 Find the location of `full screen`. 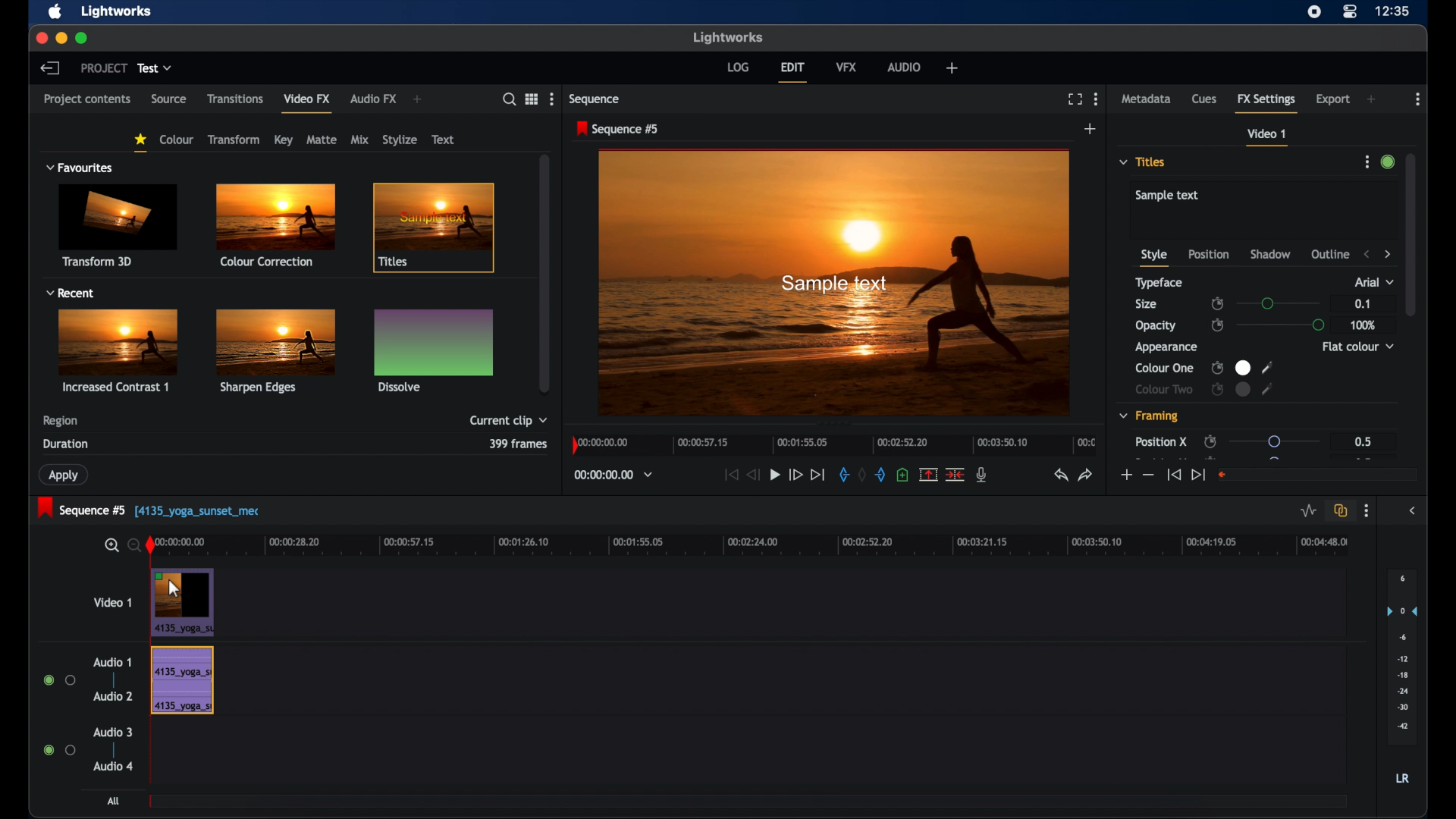

full screen is located at coordinates (1075, 99).